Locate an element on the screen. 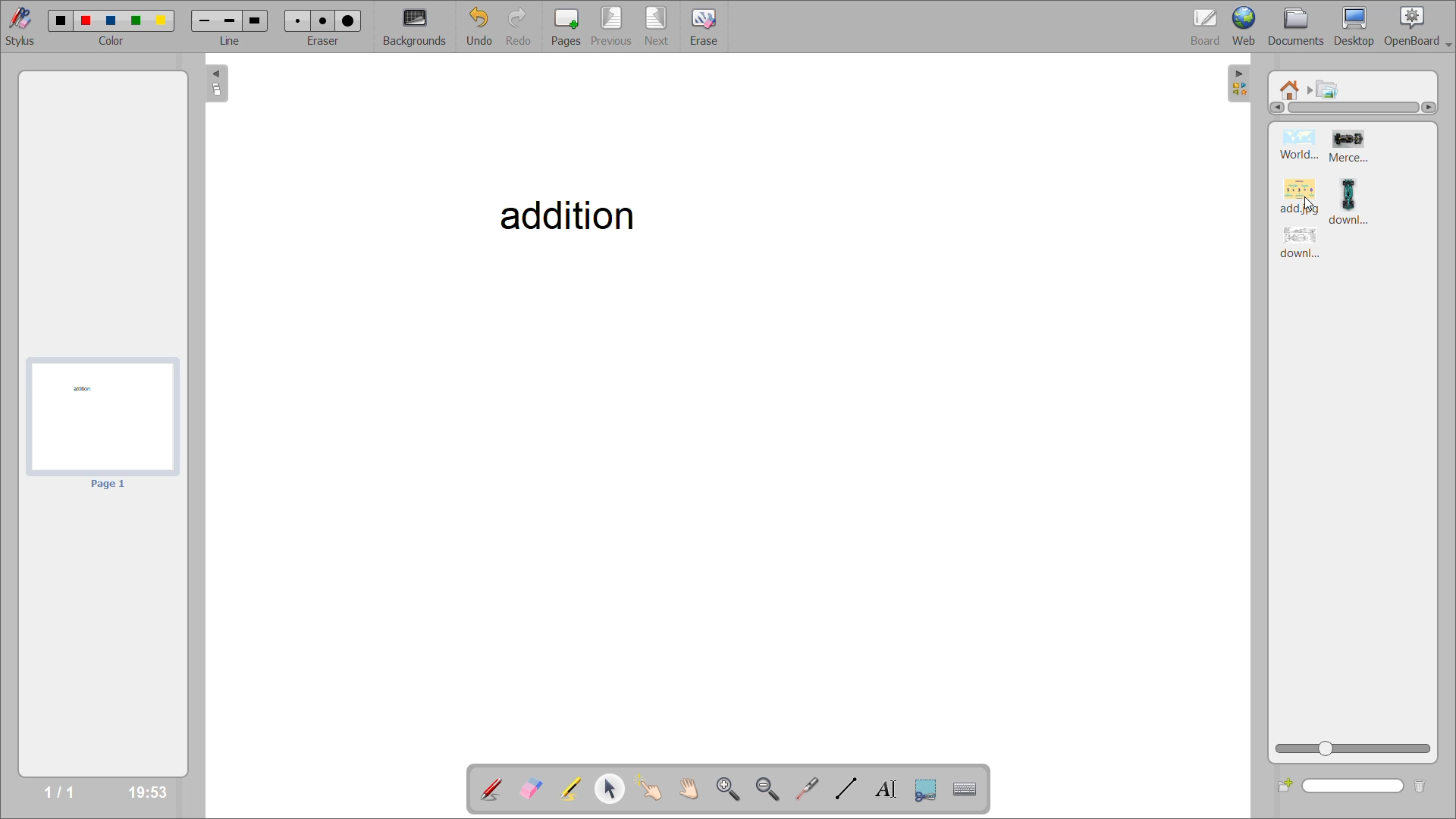 This screenshot has width=1456, height=819. line is located at coordinates (231, 40).